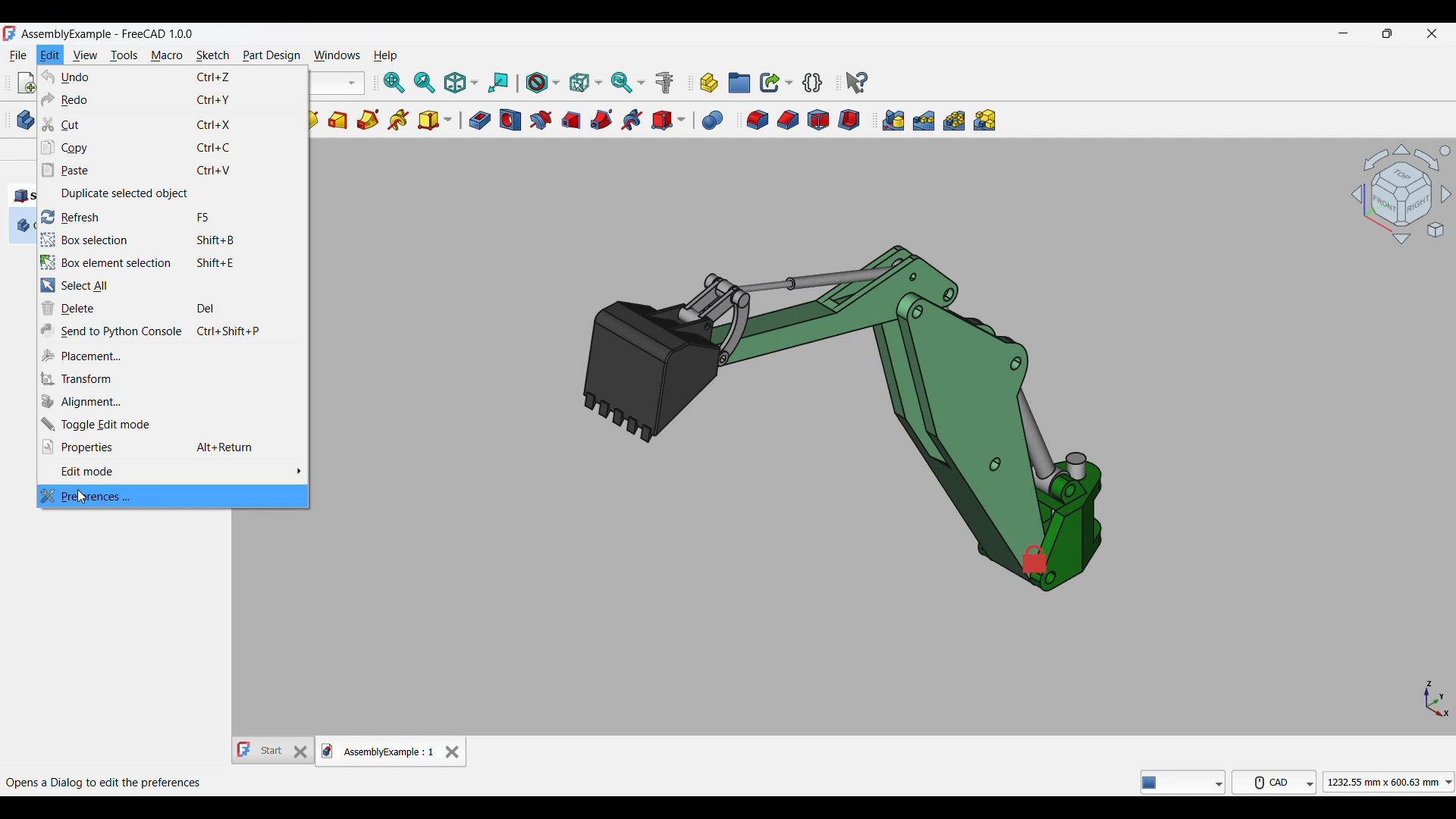 This screenshot has width=1456, height=819. I want to click on Subtractive loft, so click(570, 121).